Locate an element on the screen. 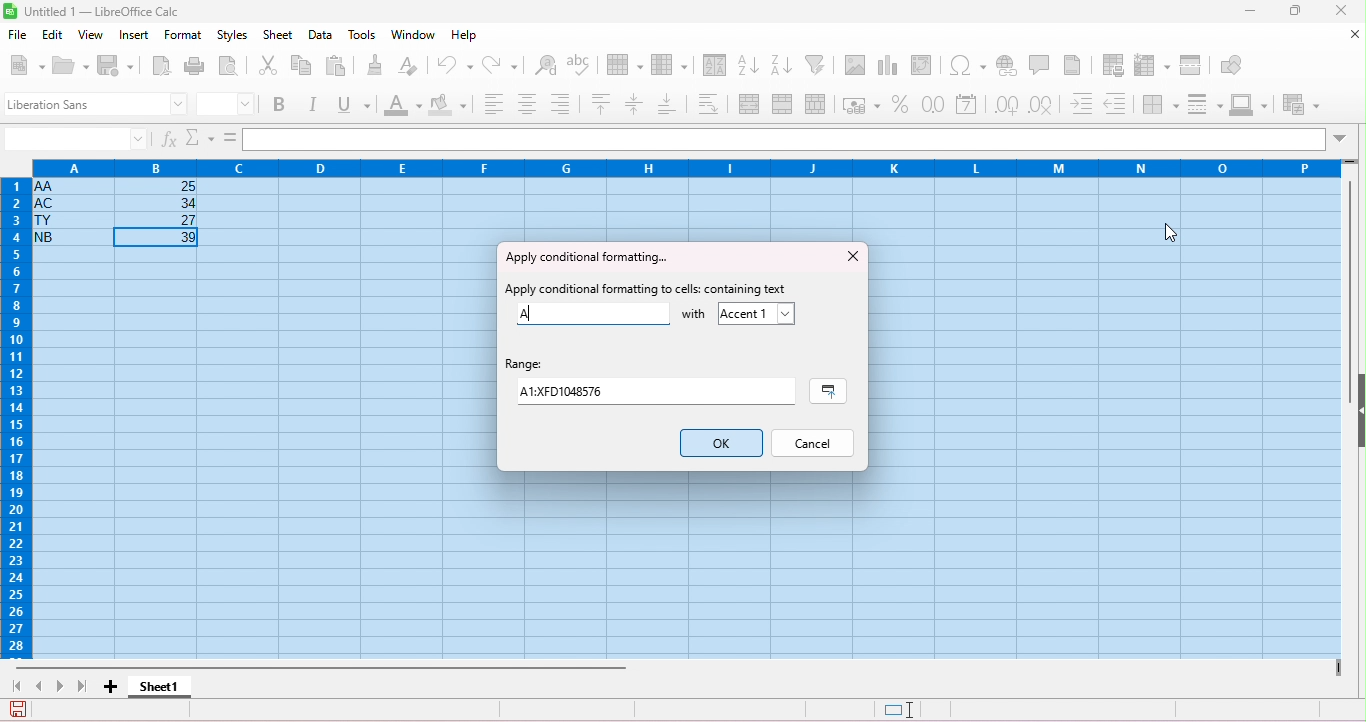 The image size is (1366, 722). undo is located at coordinates (456, 64).